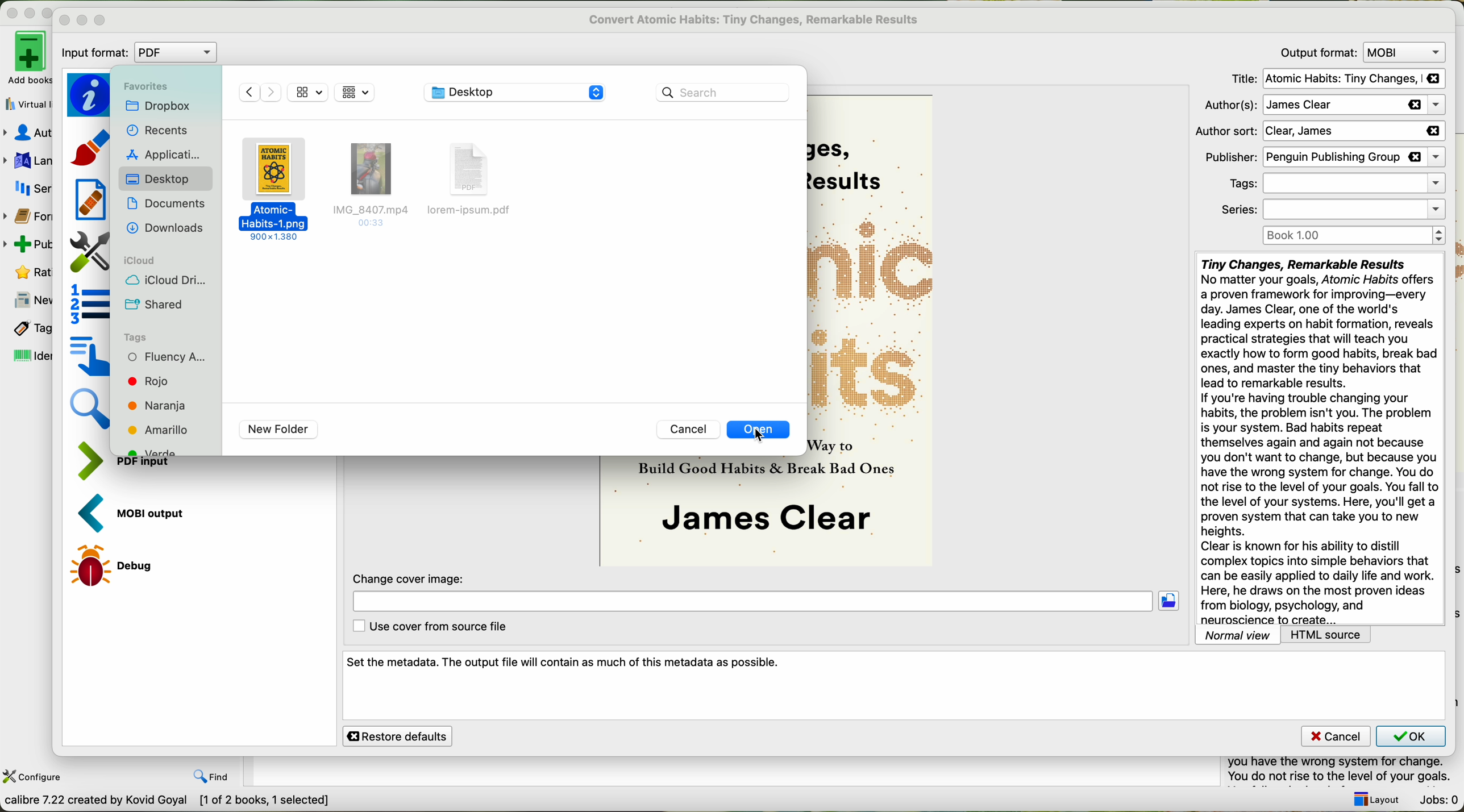  What do you see at coordinates (165, 281) in the screenshot?
I see `icloud drive` at bounding box center [165, 281].